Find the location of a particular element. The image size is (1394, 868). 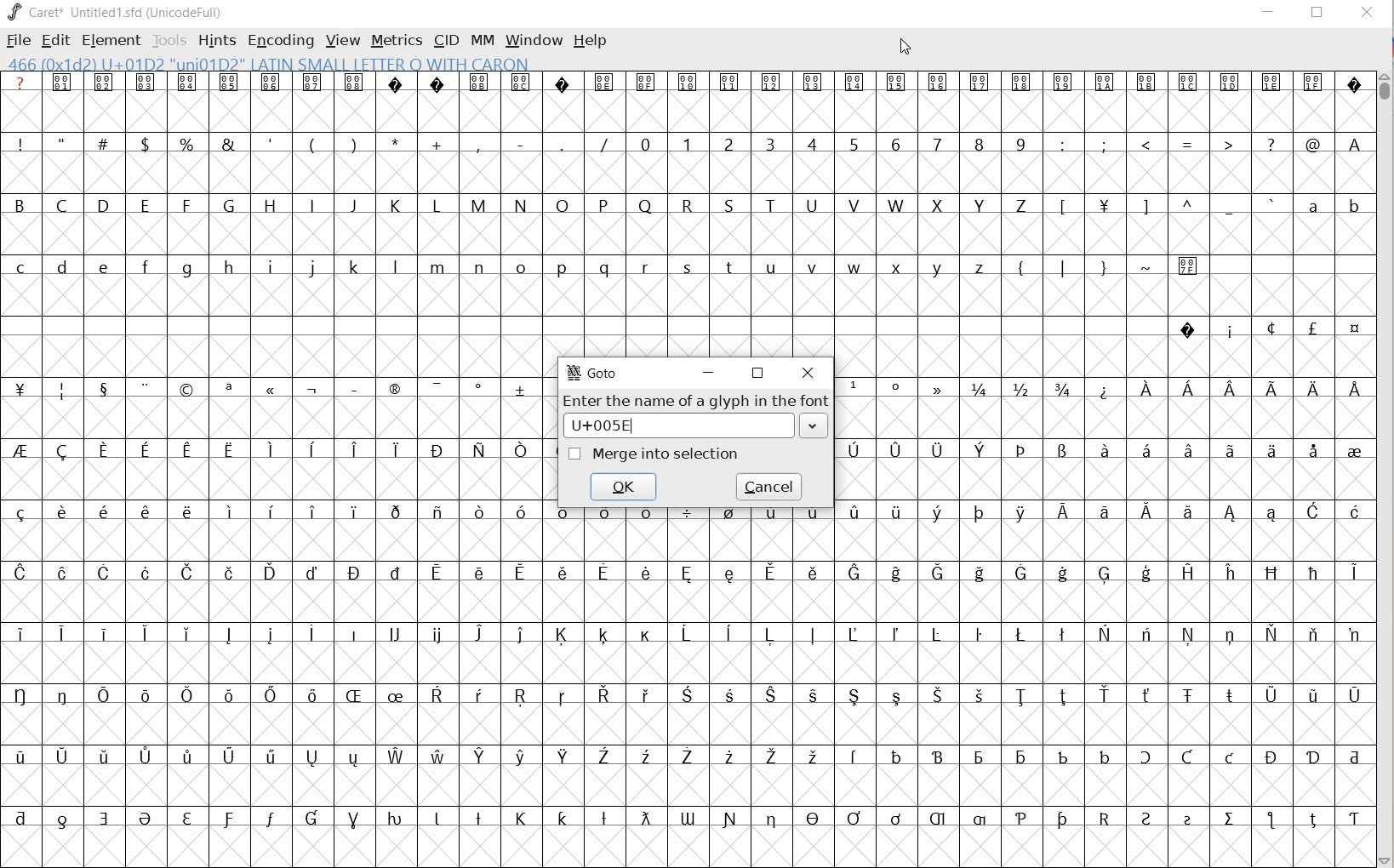

TOOLS is located at coordinates (169, 40).